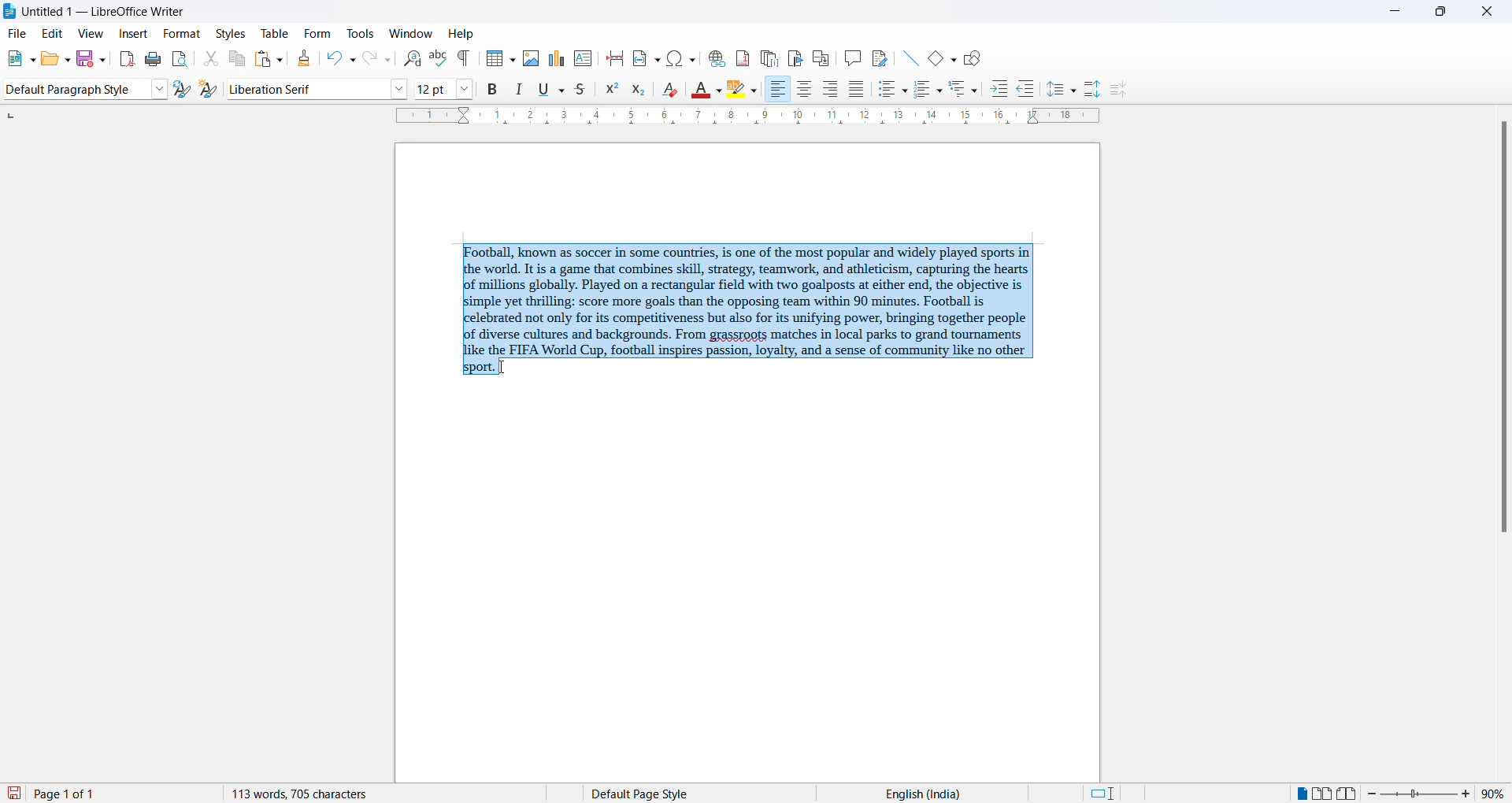 The height and width of the screenshot is (803, 1512). I want to click on standard selection, so click(1102, 794).